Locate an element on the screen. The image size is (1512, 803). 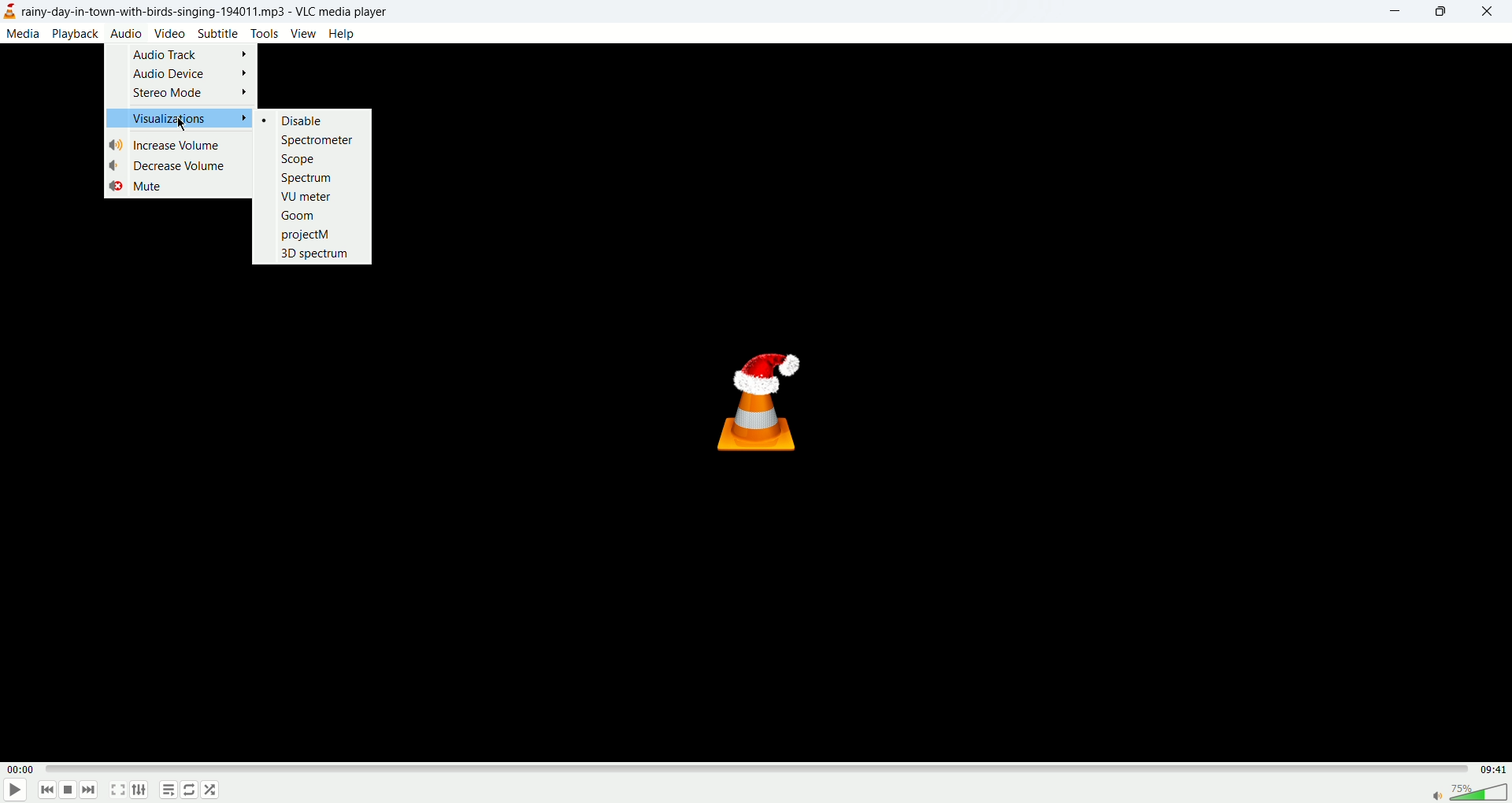
Scope is located at coordinates (302, 159).